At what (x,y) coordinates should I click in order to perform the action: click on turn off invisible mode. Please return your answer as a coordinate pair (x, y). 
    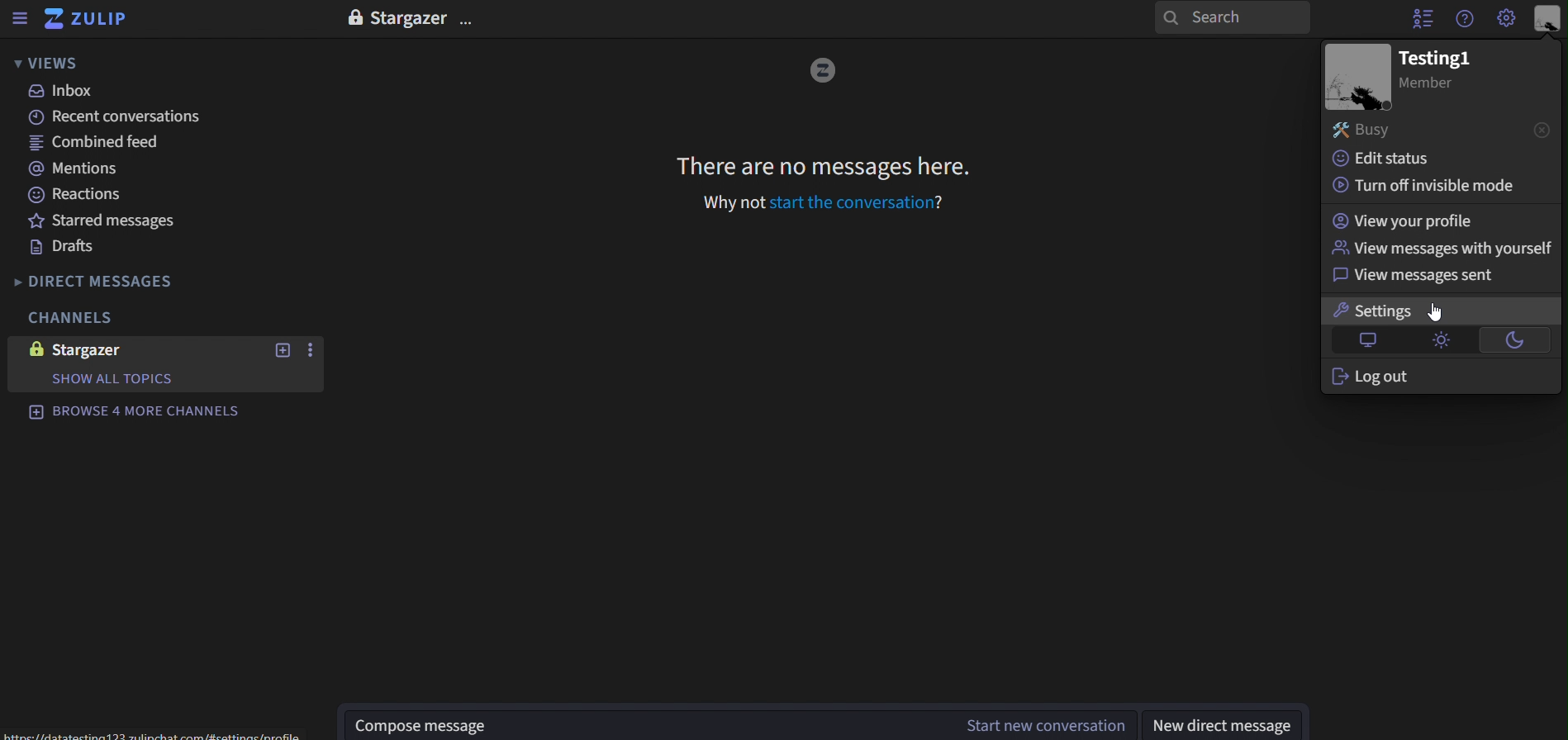
    Looking at the image, I should click on (1425, 187).